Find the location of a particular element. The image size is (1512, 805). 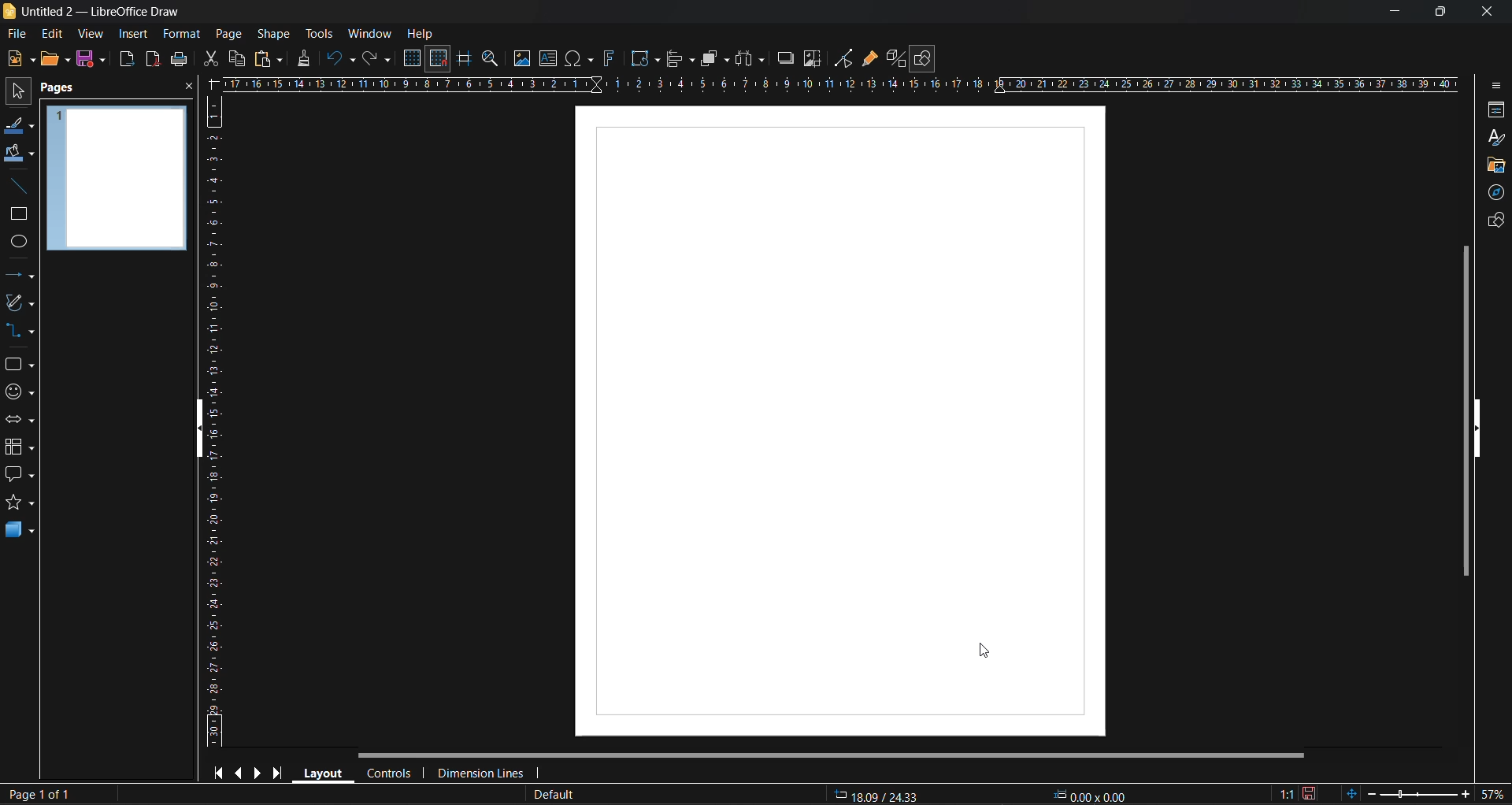

new is located at coordinates (17, 61).